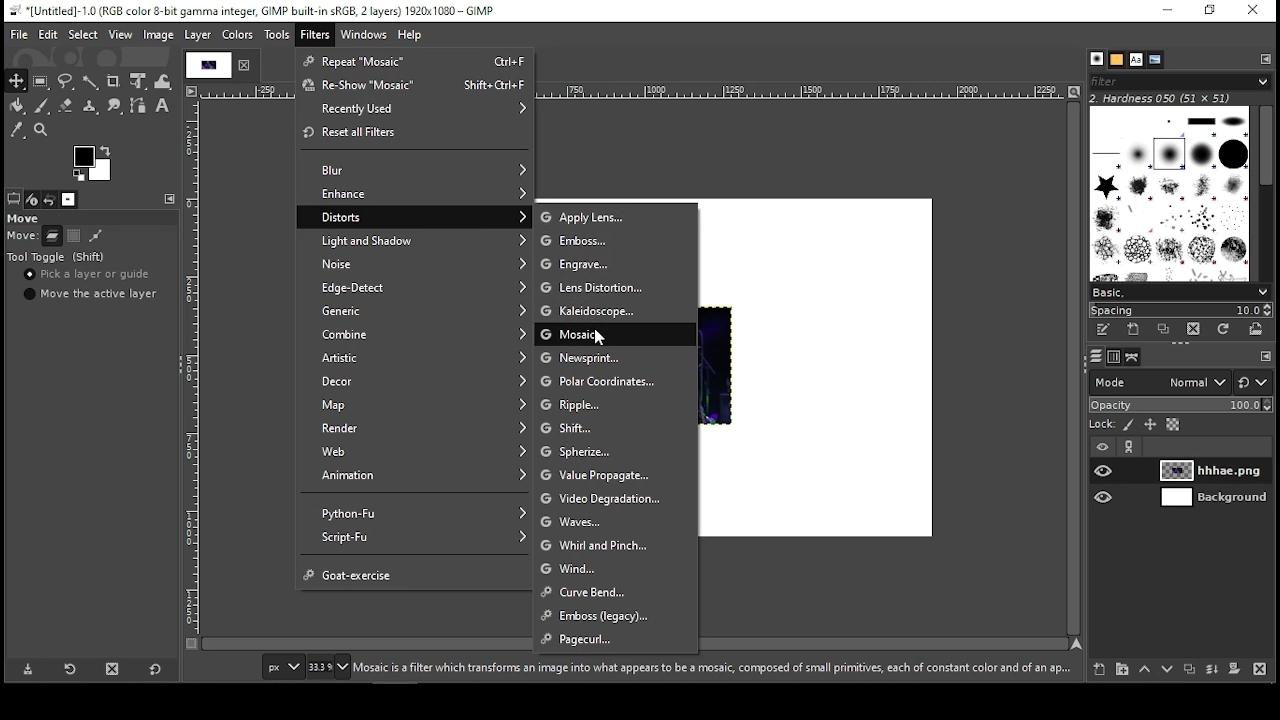 The width and height of the screenshot is (1280, 720). What do you see at coordinates (194, 368) in the screenshot?
I see `scale` at bounding box center [194, 368].